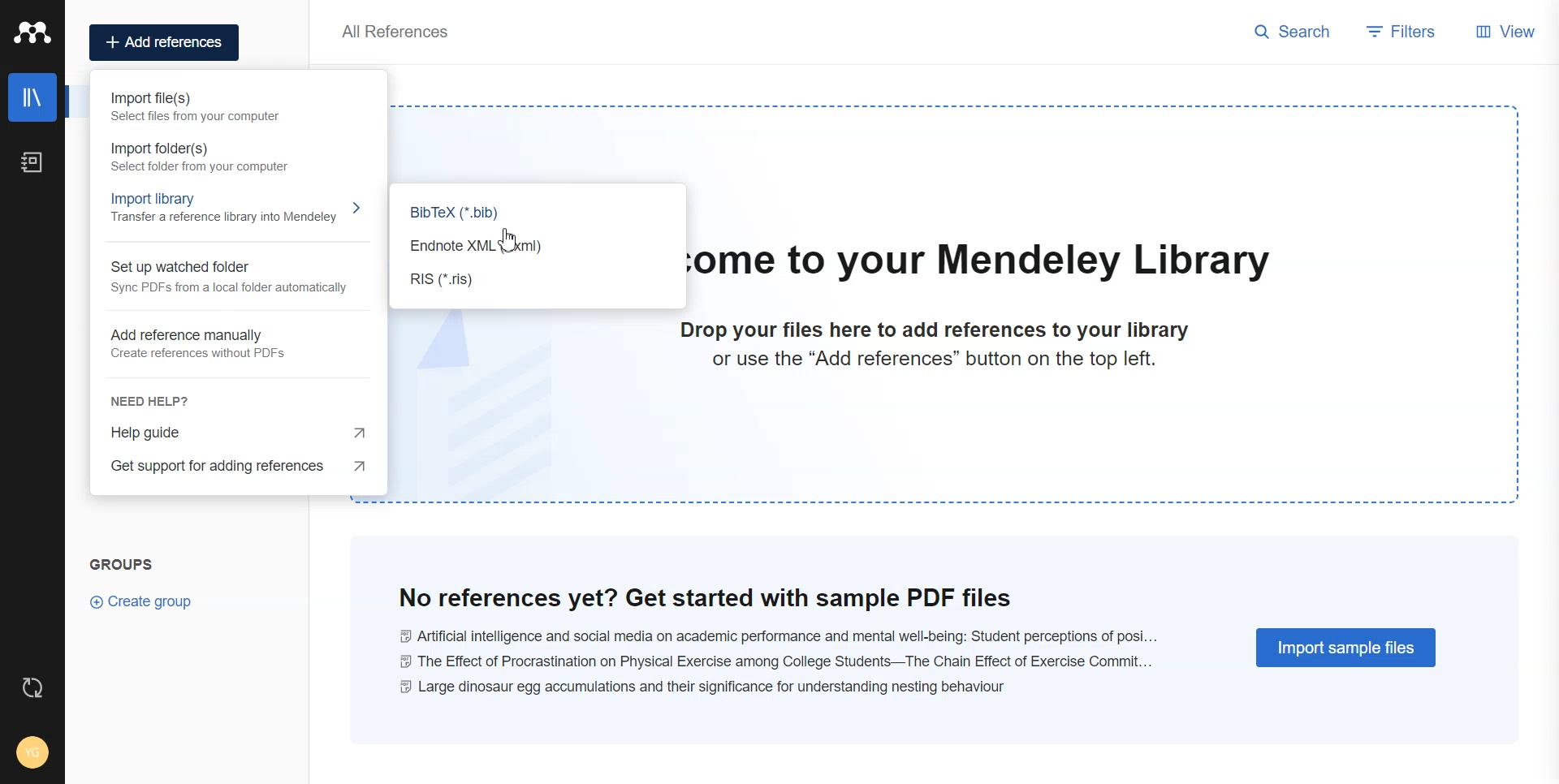 This screenshot has height=784, width=1559. I want to click on Groups, so click(123, 563).